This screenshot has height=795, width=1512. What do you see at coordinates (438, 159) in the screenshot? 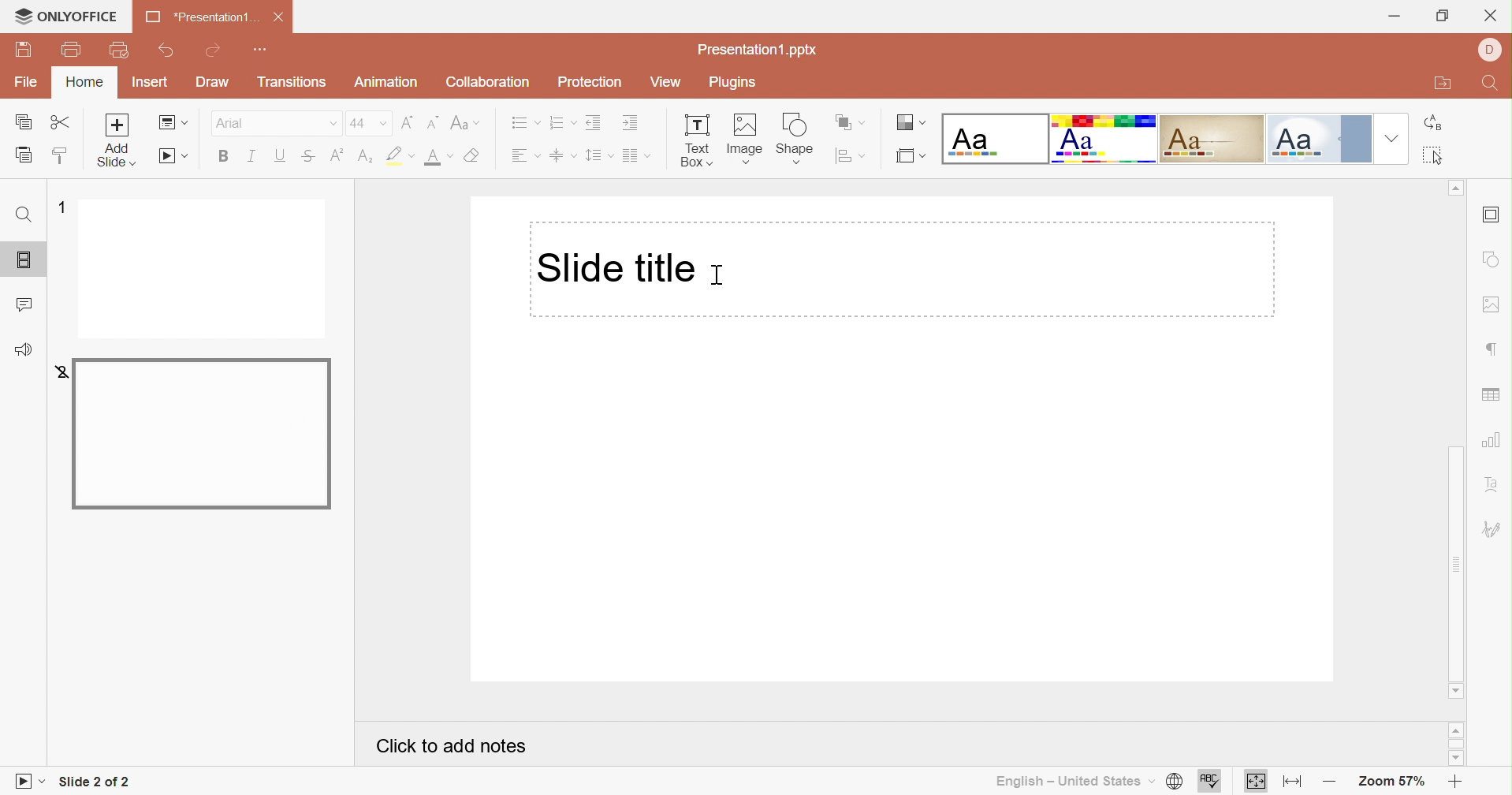
I see `Font color` at bounding box center [438, 159].